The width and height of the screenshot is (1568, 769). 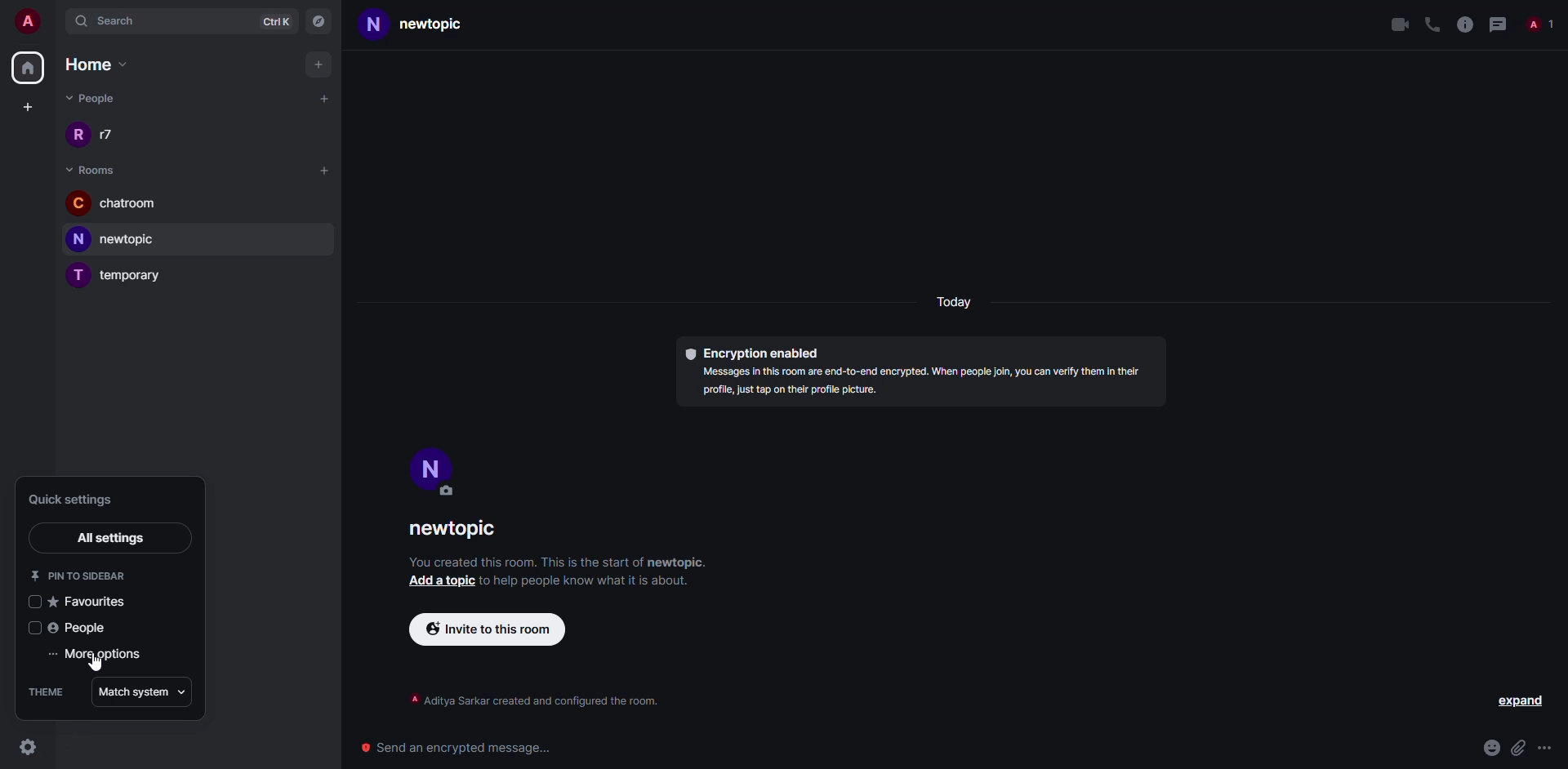 I want to click on quick settings, so click(x=76, y=499).